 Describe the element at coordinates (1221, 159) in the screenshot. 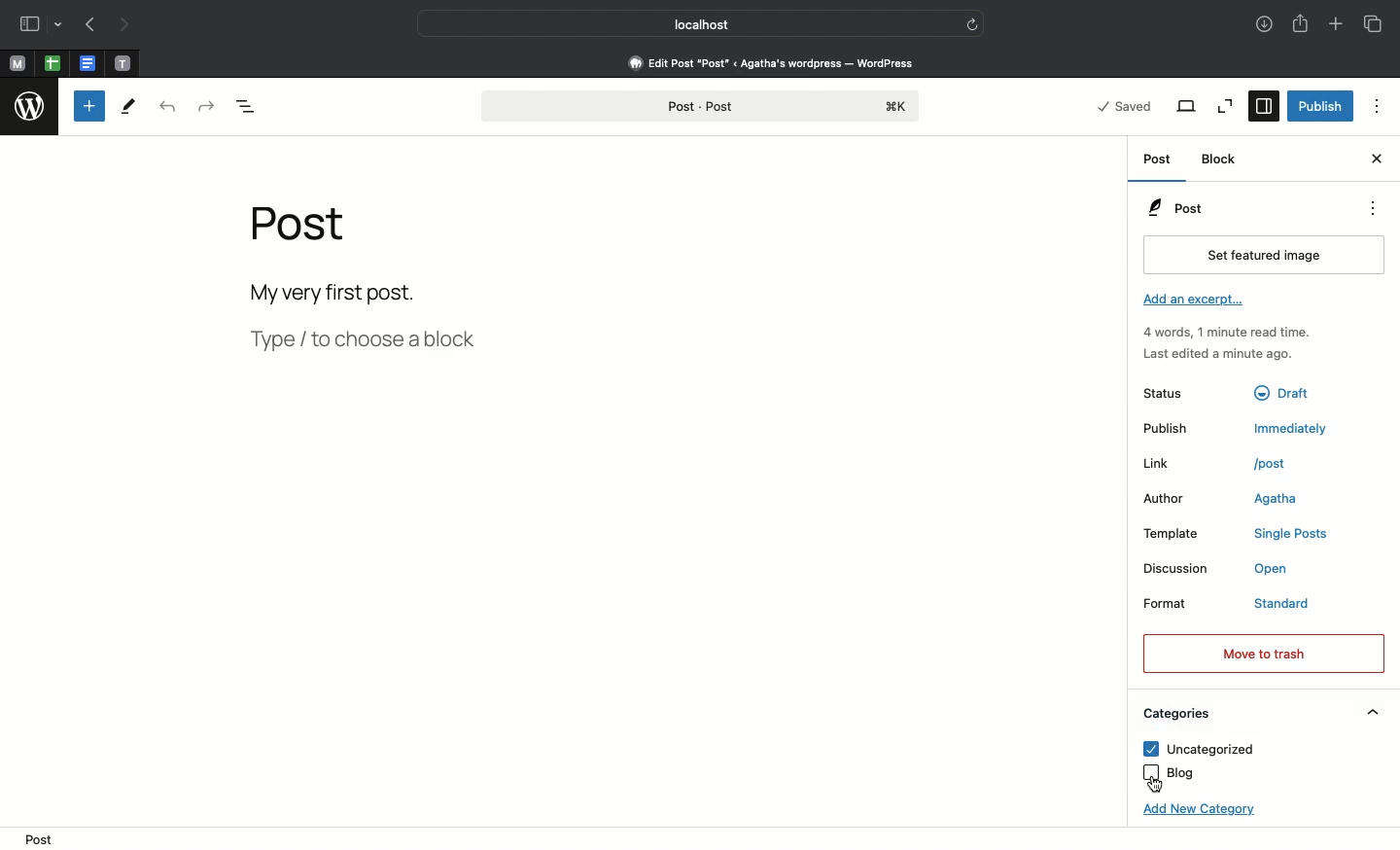

I see `Block` at that location.